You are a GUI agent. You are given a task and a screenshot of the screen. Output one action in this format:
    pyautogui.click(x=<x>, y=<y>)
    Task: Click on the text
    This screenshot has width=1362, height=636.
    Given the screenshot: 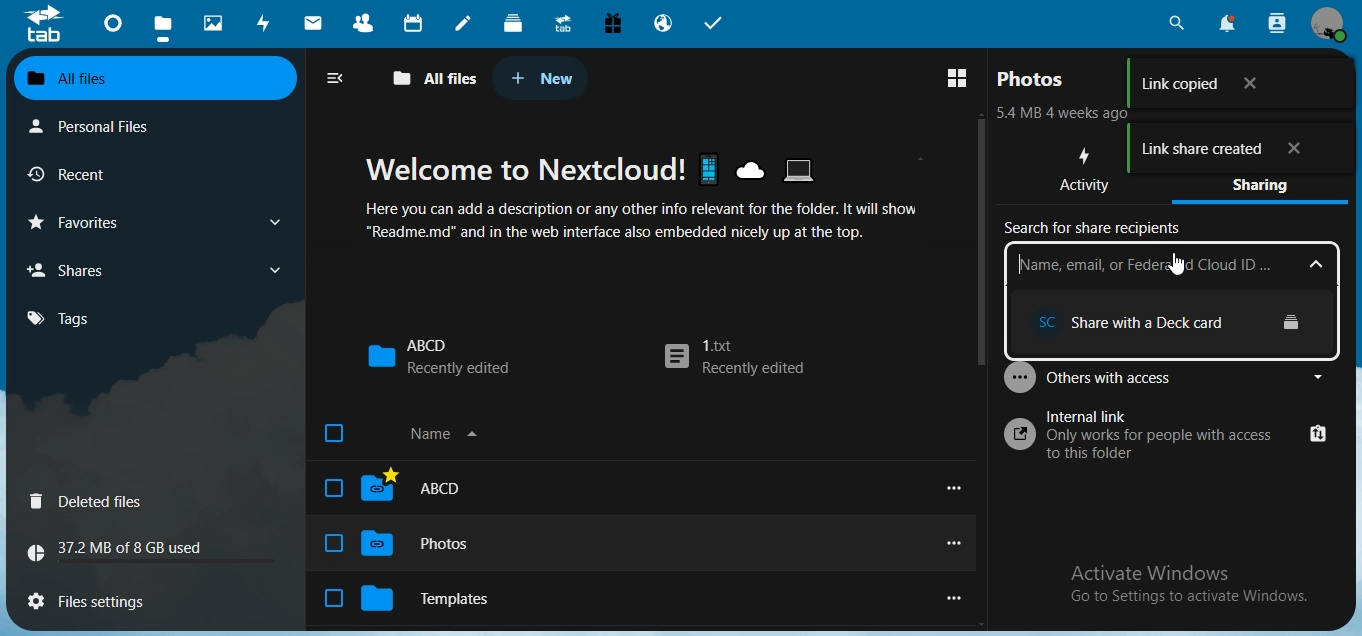 What is the action you would take?
    pyautogui.click(x=124, y=551)
    